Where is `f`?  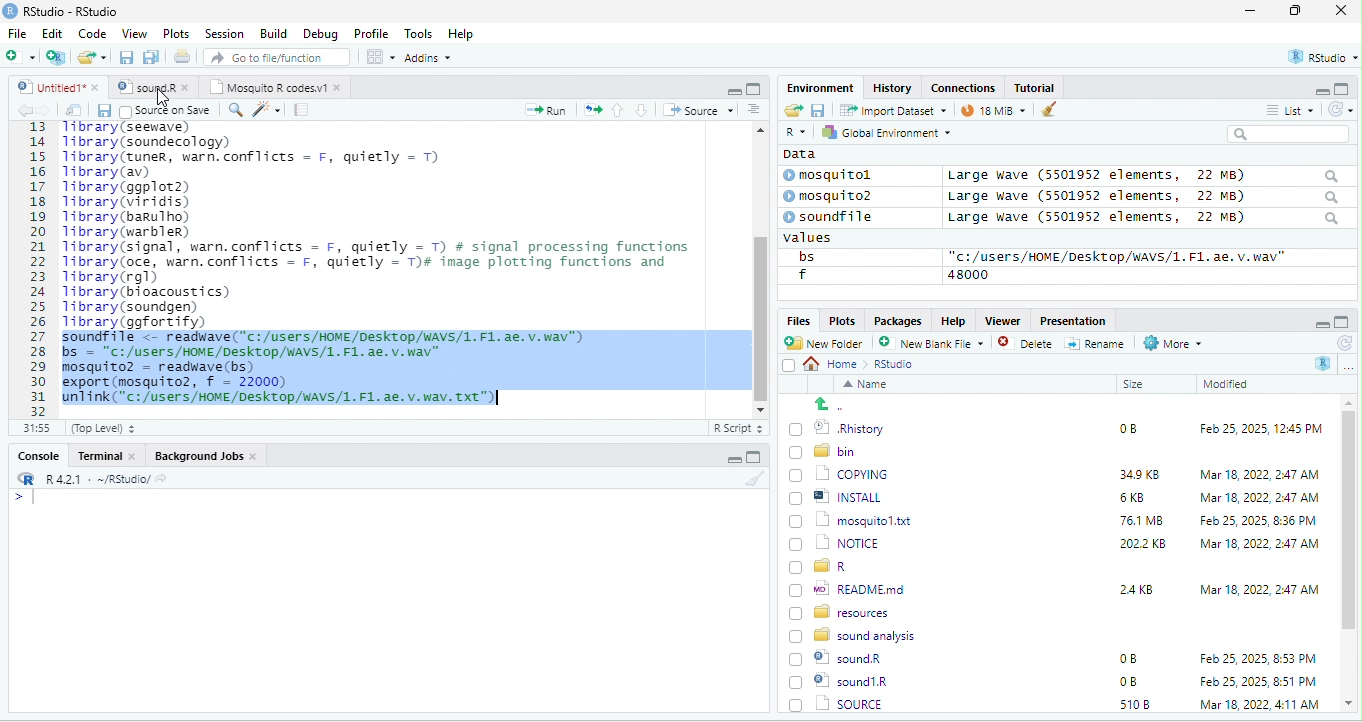
f is located at coordinates (802, 275).